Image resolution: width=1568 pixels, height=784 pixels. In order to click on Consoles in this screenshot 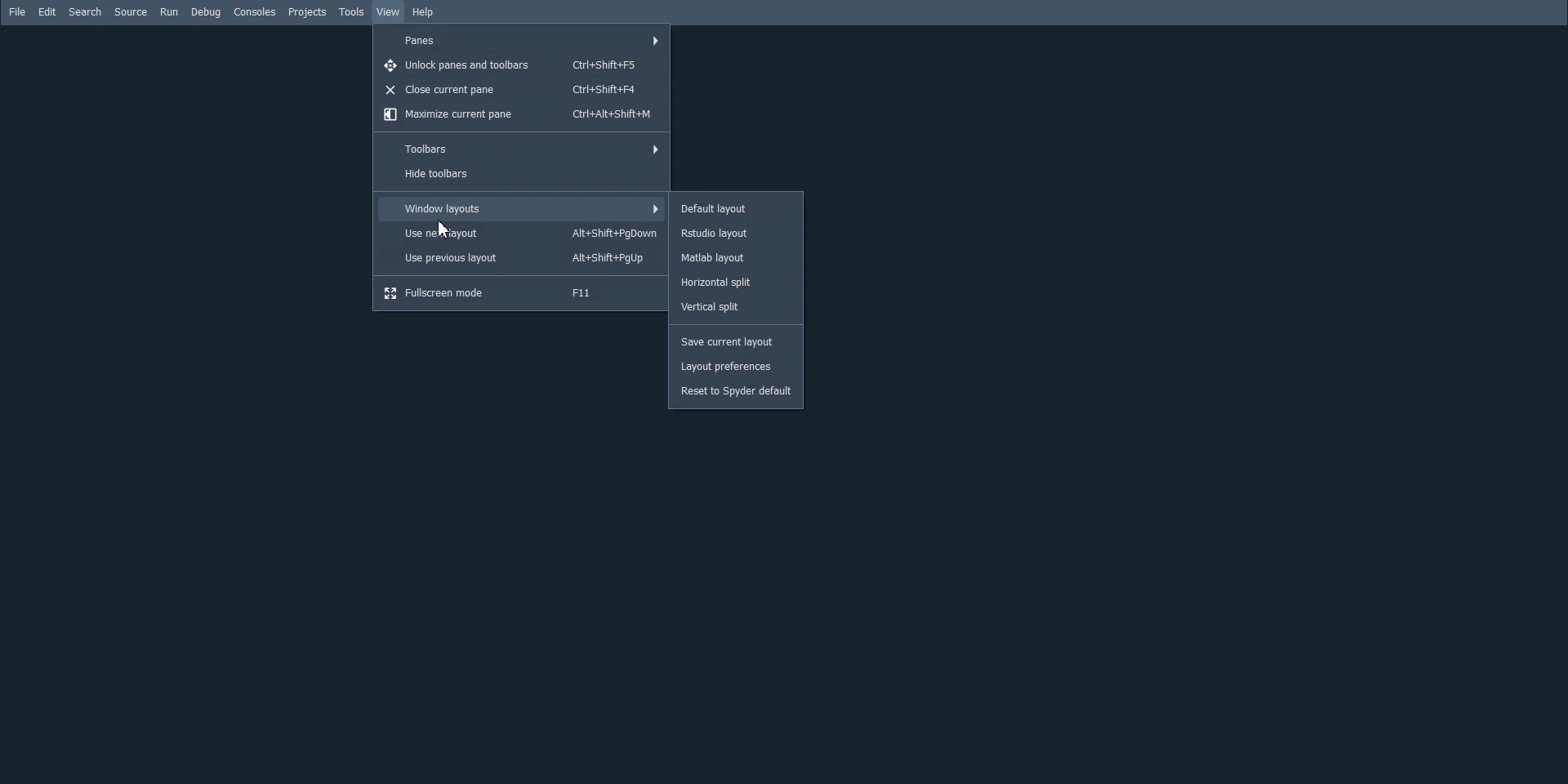, I will do `click(255, 11)`.